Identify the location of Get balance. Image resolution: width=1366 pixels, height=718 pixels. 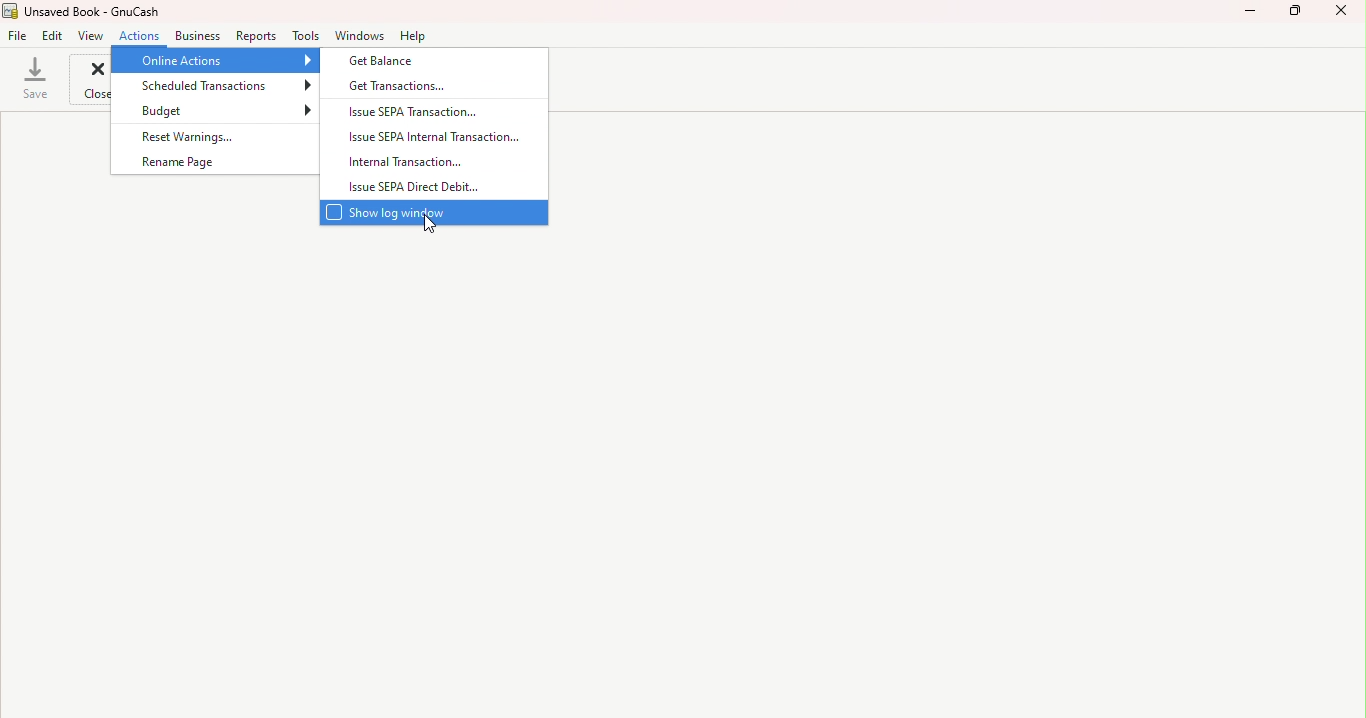
(438, 64).